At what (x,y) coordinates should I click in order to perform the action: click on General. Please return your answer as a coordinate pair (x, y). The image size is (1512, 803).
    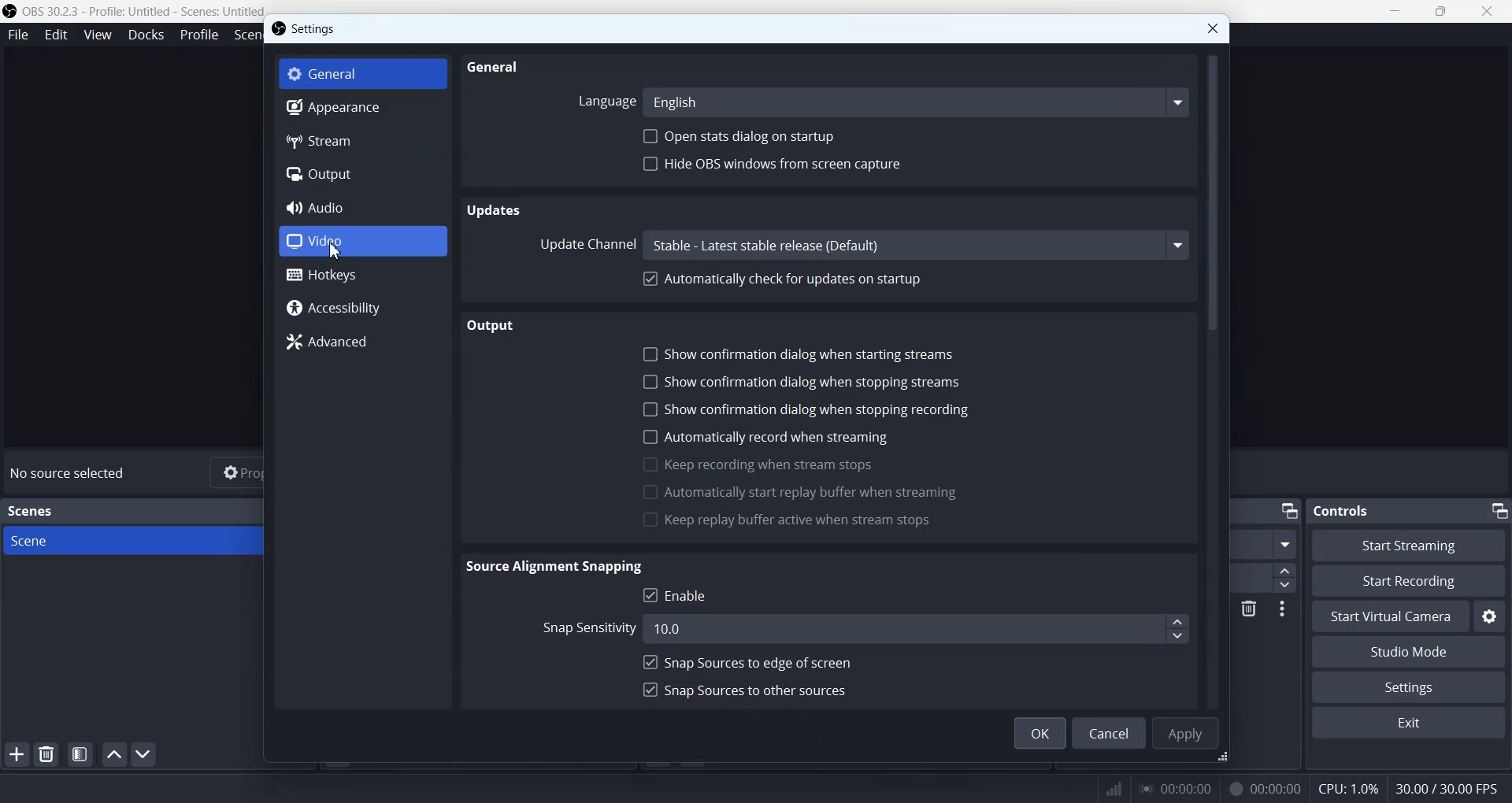
    Looking at the image, I should click on (364, 72).